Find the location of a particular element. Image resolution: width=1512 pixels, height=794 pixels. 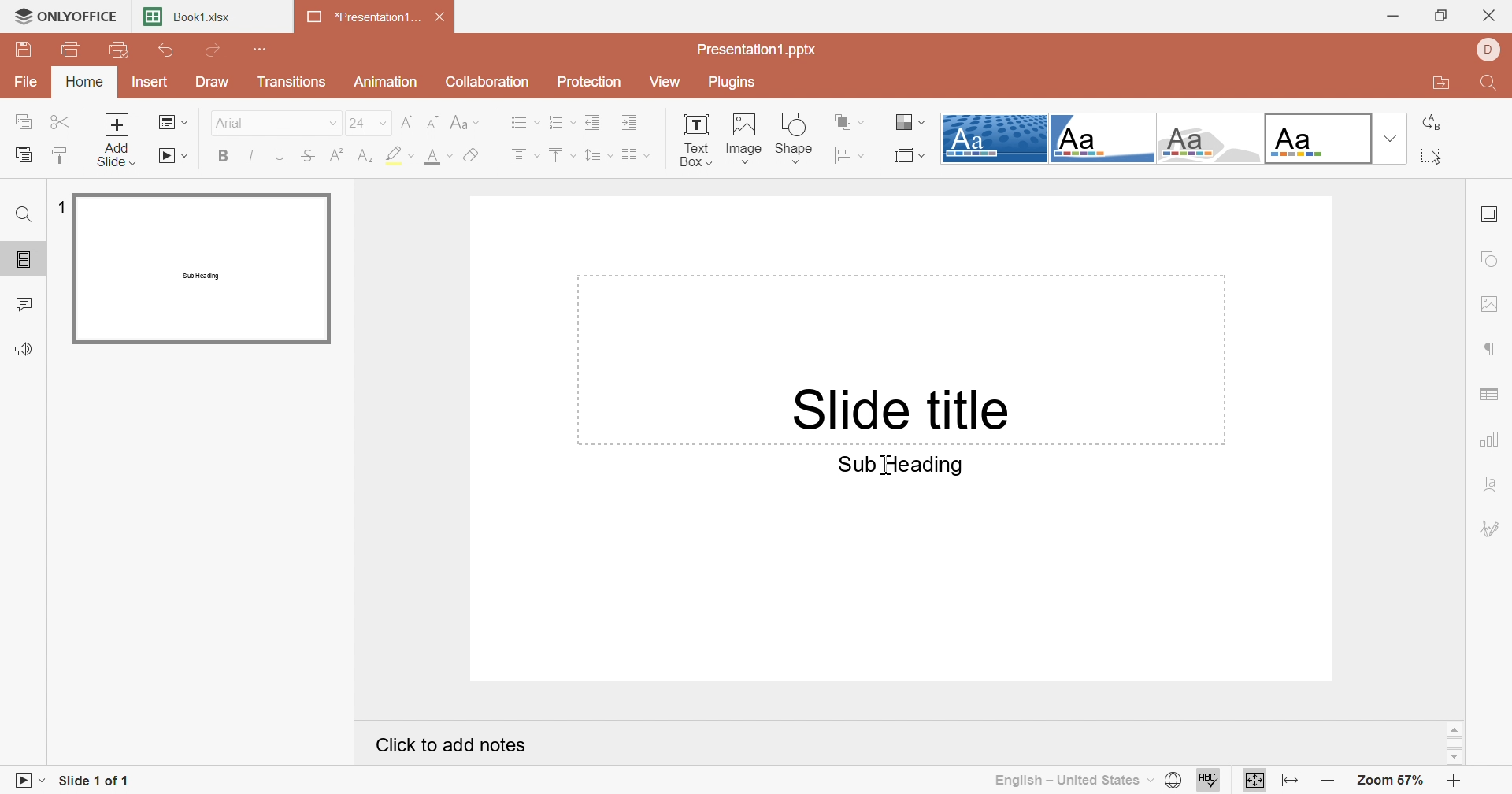

*Presentation1... is located at coordinates (363, 17).